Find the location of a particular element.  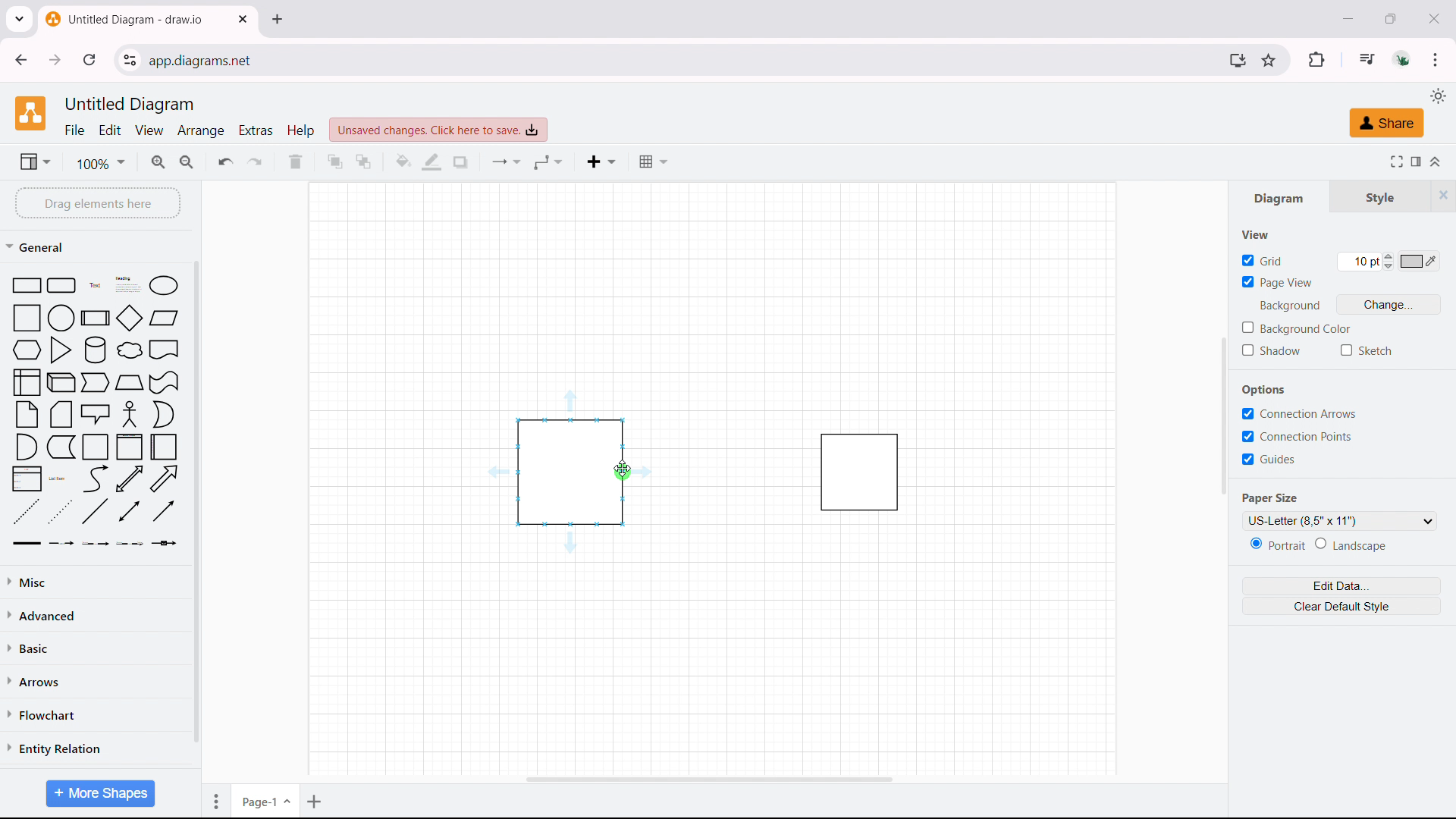

to back is located at coordinates (363, 162).